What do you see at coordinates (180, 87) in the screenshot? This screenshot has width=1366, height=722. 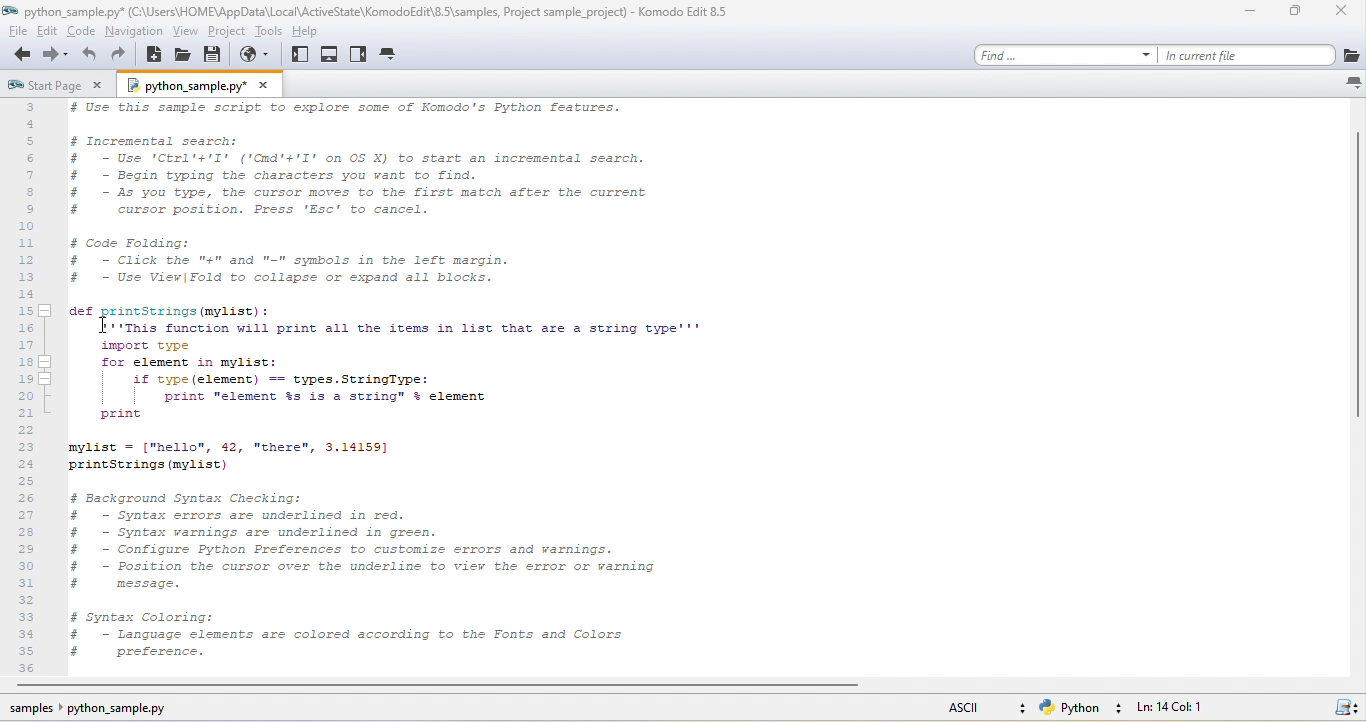 I see `python samplepy` at bounding box center [180, 87].